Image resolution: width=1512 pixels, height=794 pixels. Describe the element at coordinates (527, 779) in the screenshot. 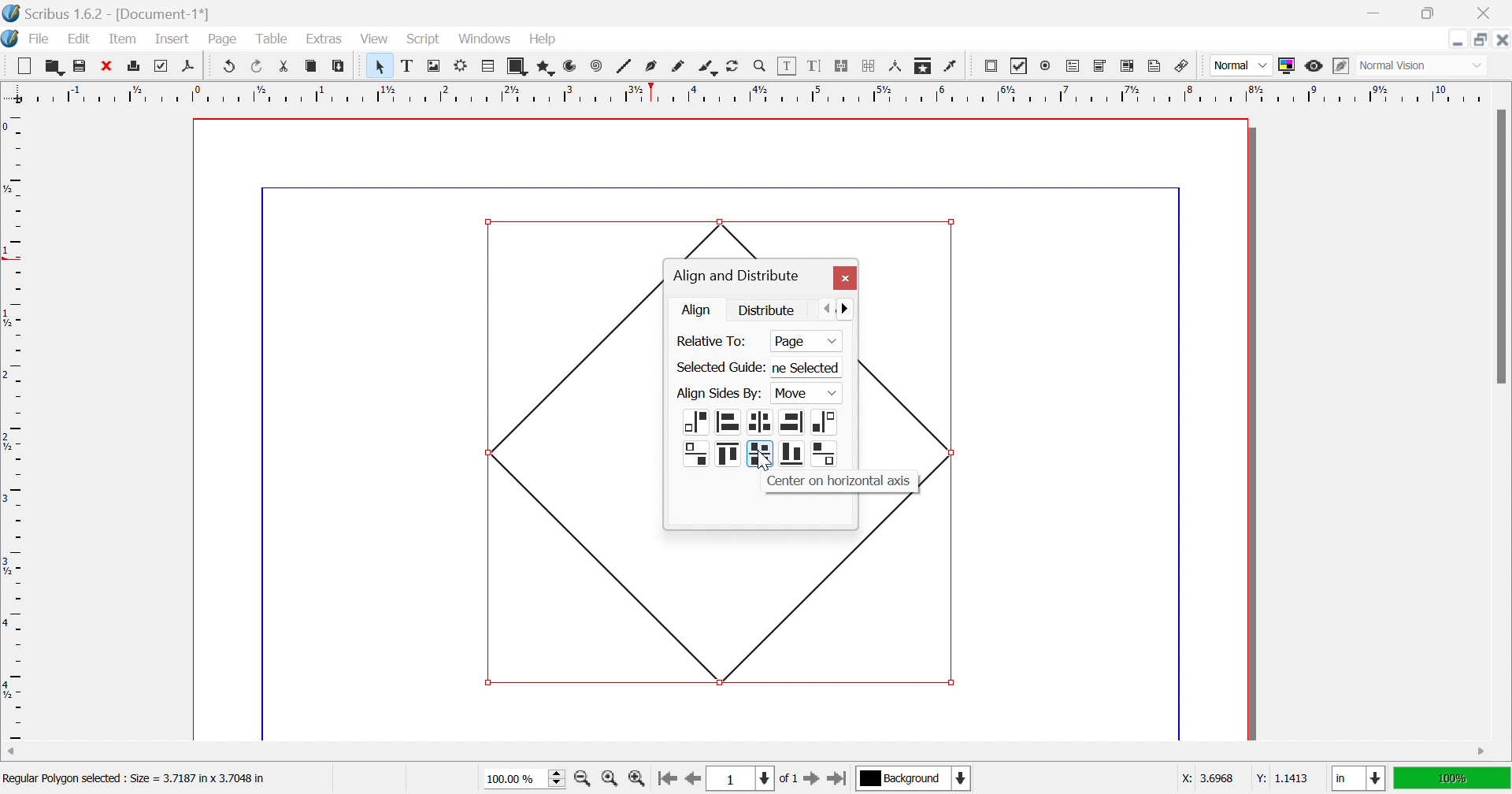

I see `100.00%` at that location.